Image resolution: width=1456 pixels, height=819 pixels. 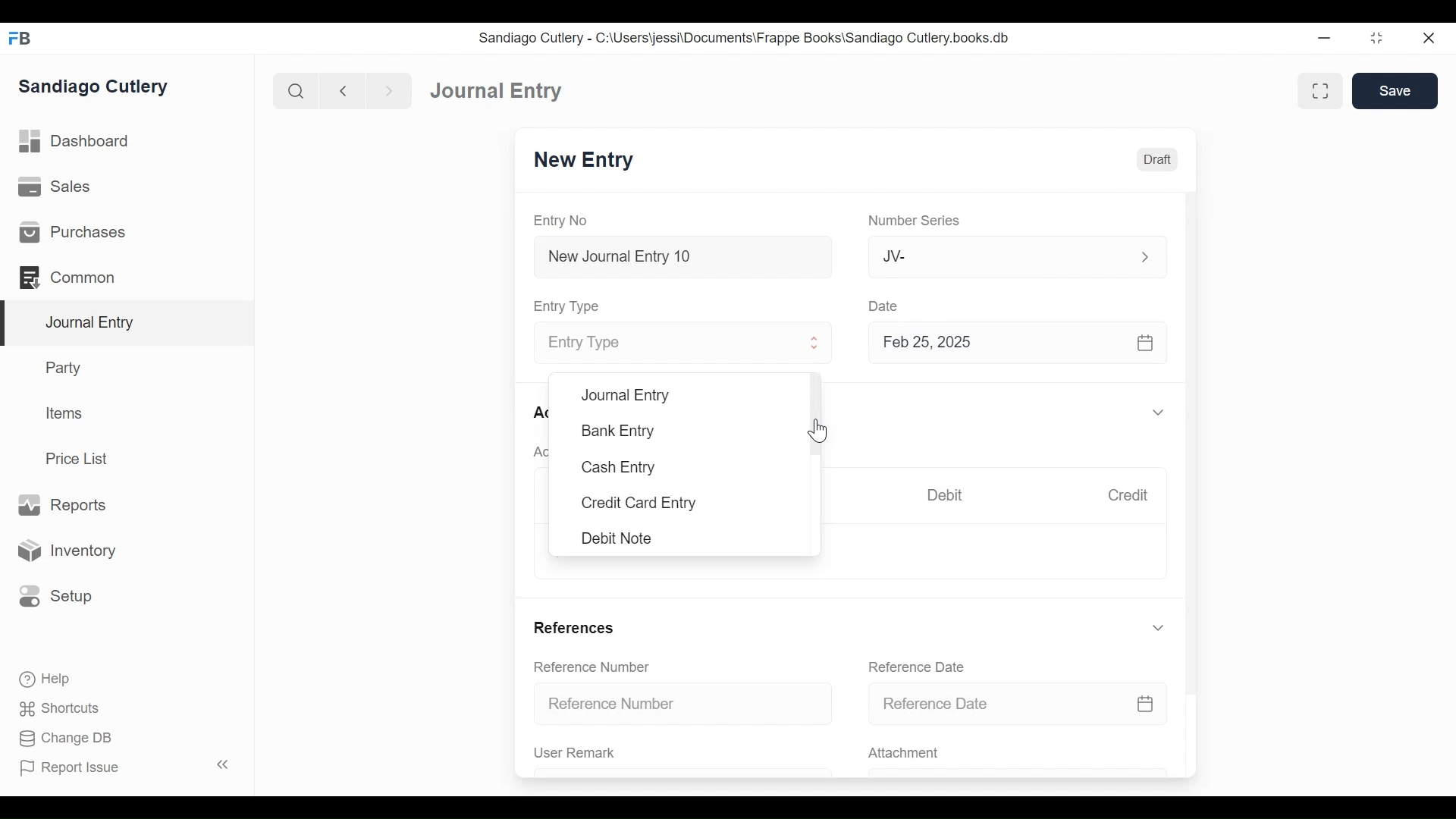 I want to click on Reference Number, so click(x=595, y=668).